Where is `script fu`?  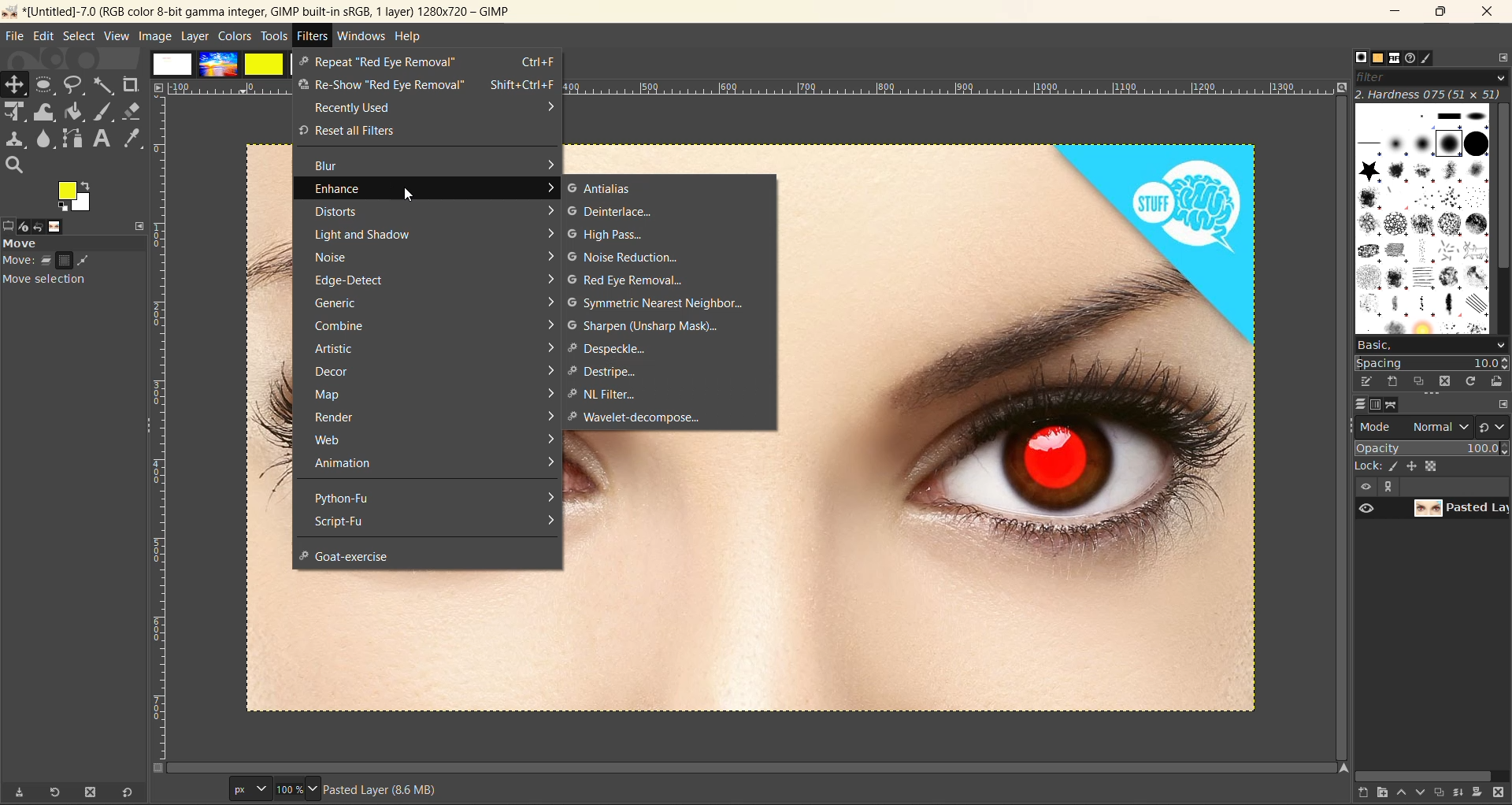 script fu is located at coordinates (431, 524).